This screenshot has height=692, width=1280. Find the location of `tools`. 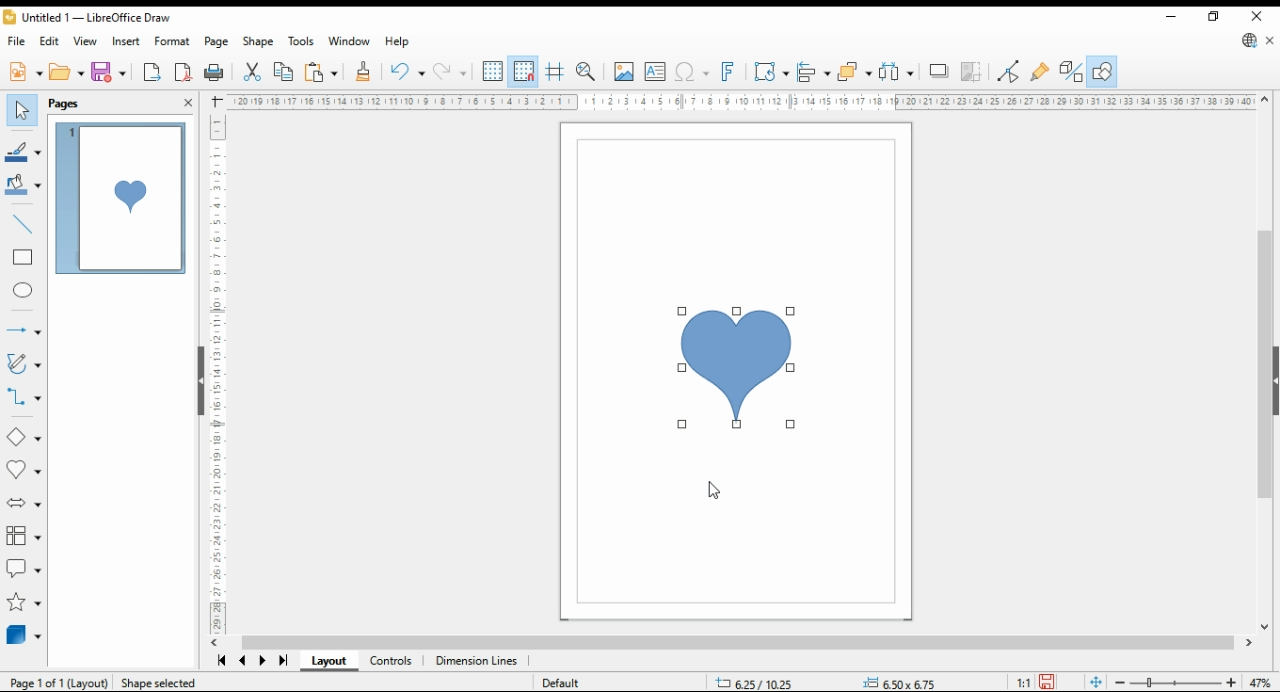

tools is located at coordinates (302, 41).